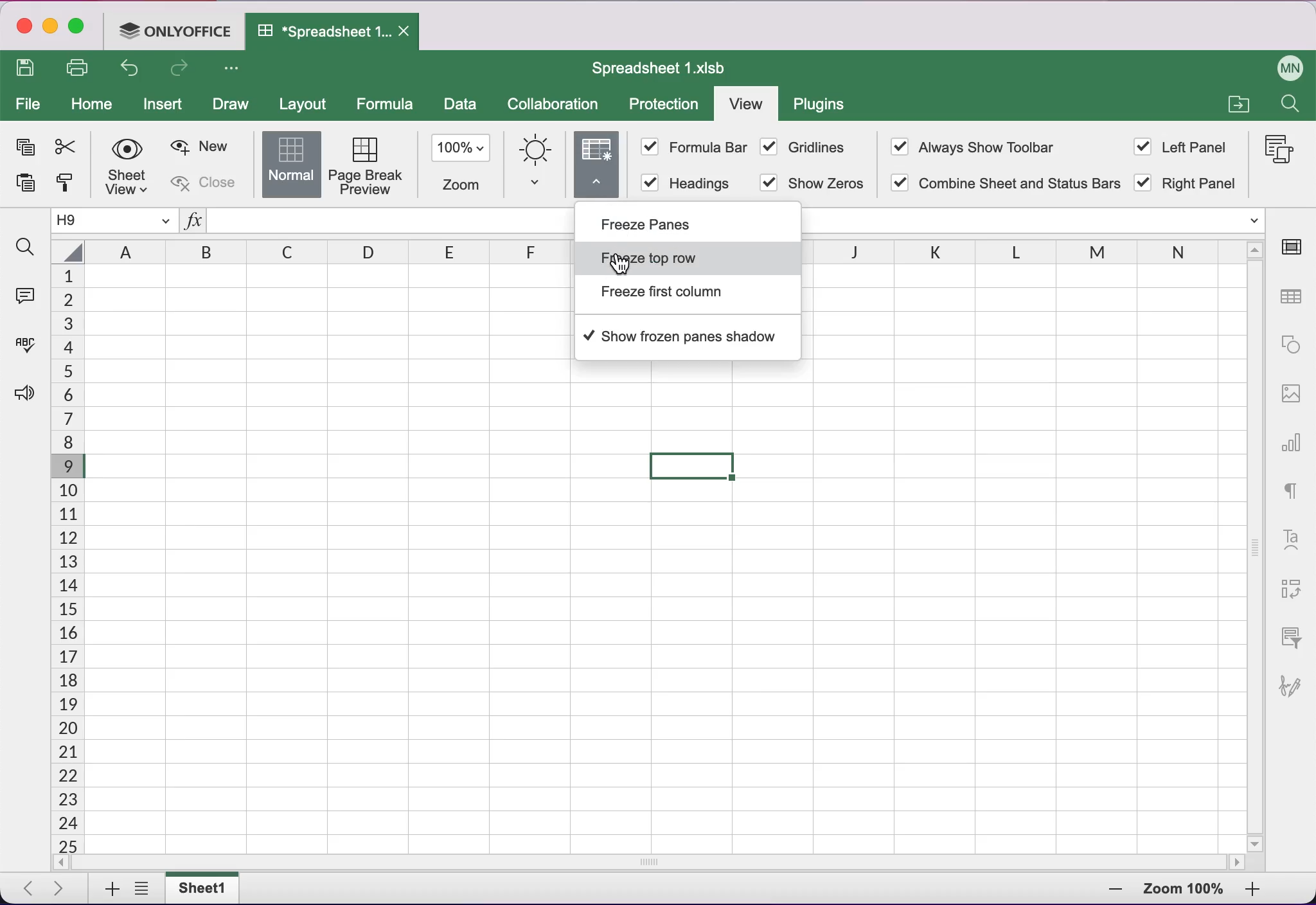  I want to click on left panel, so click(1185, 147).